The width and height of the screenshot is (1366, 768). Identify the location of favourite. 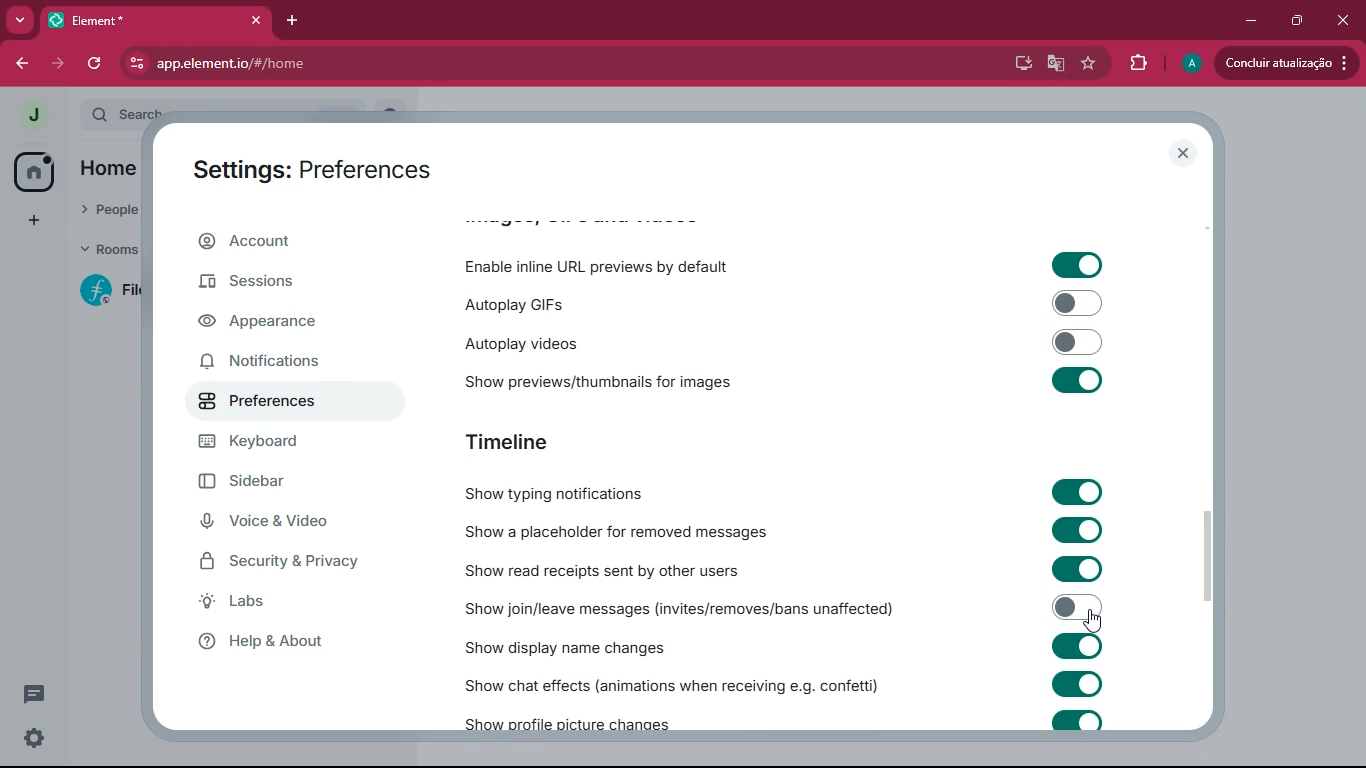
(1091, 67).